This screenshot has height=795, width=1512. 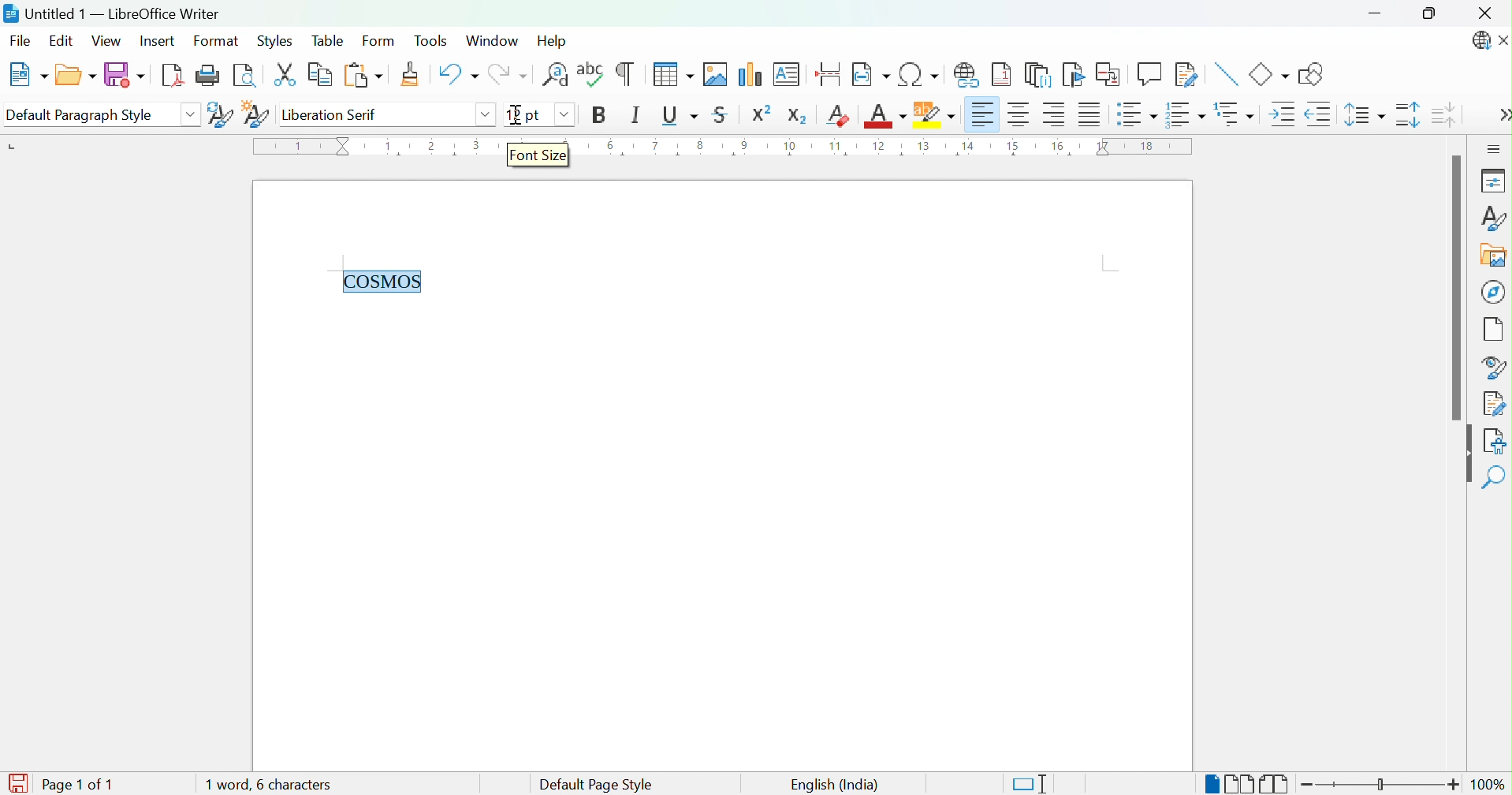 What do you see at coordinates (827, 70) in the screenshot?
I see `Insert Page Break` at bounding box center [827, 70].